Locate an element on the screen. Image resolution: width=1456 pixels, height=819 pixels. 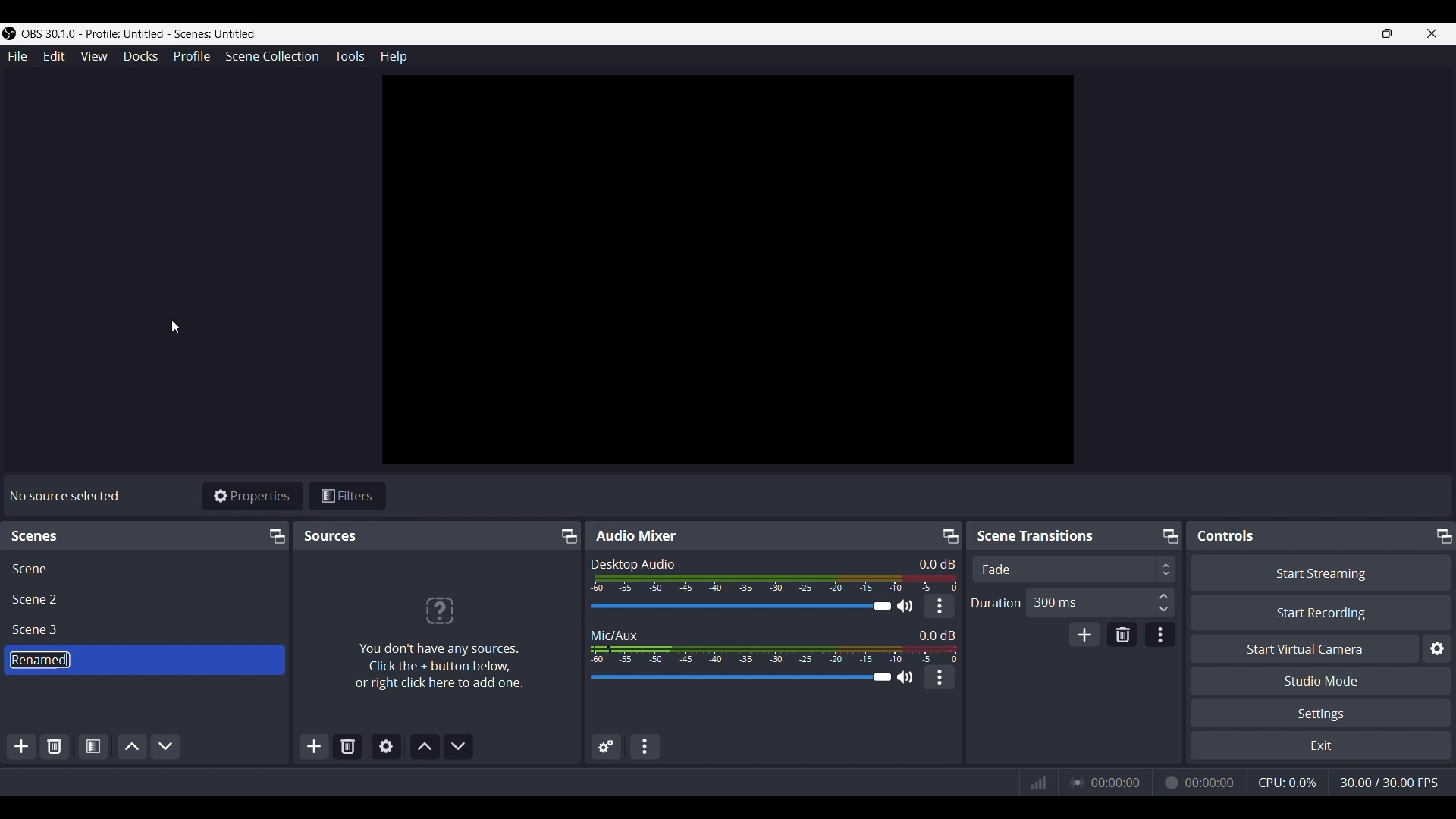
Scene 2 is located at coordinates (39, 599).